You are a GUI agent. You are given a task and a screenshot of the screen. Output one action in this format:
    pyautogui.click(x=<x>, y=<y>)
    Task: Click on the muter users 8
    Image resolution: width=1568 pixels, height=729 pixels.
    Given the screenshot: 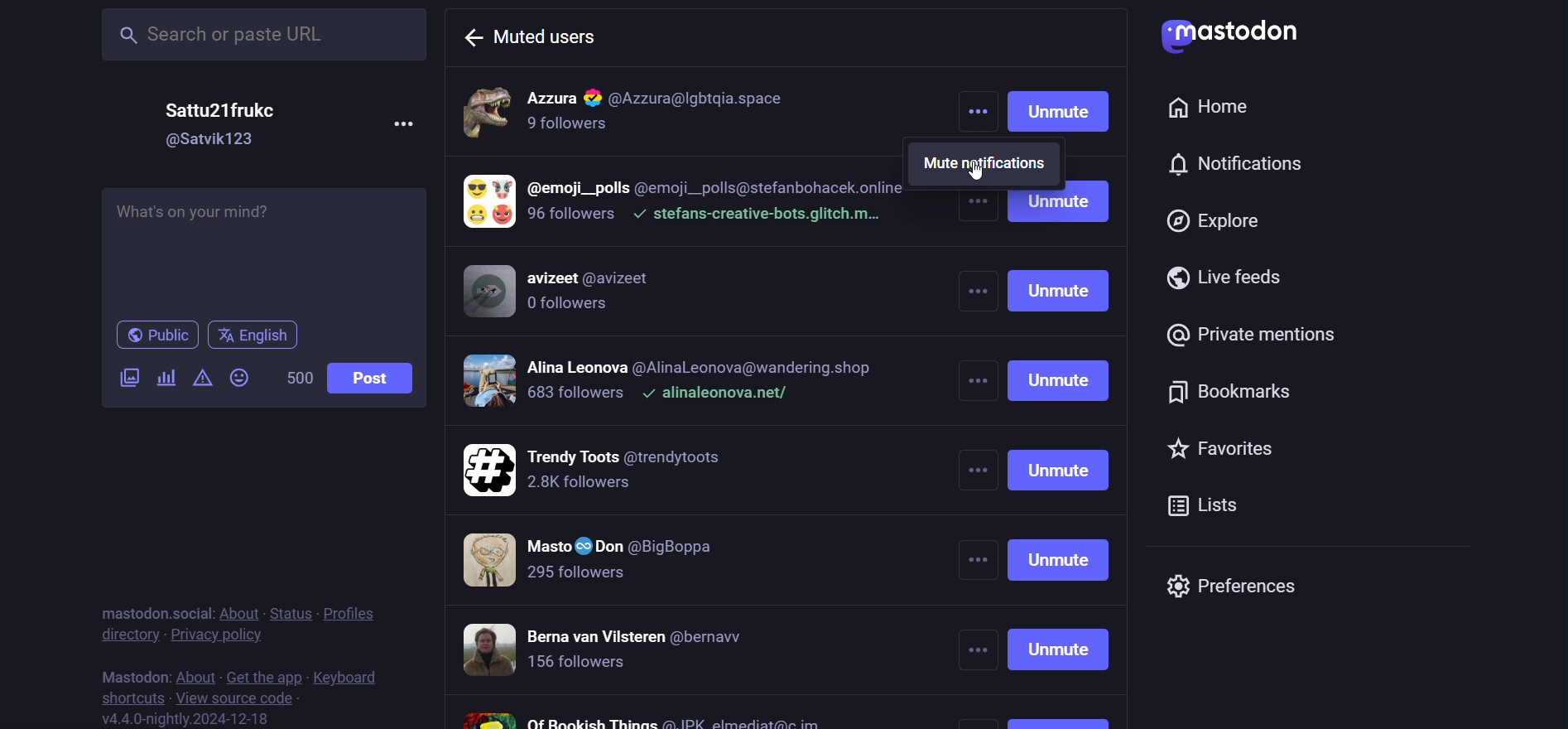 What is the action you would take?
    pyautogui.click(x=642, y=717)
    